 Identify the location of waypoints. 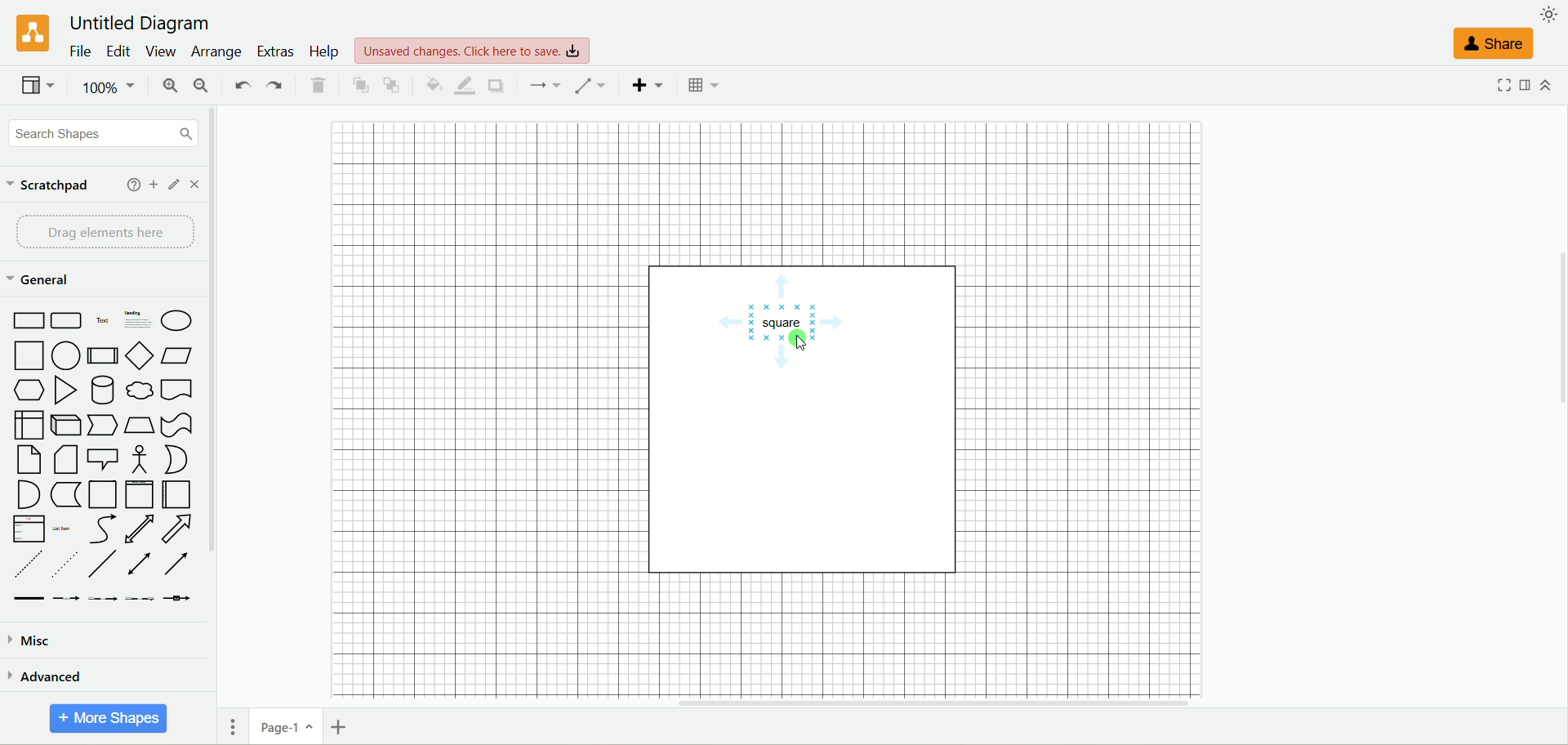
(596, 85).